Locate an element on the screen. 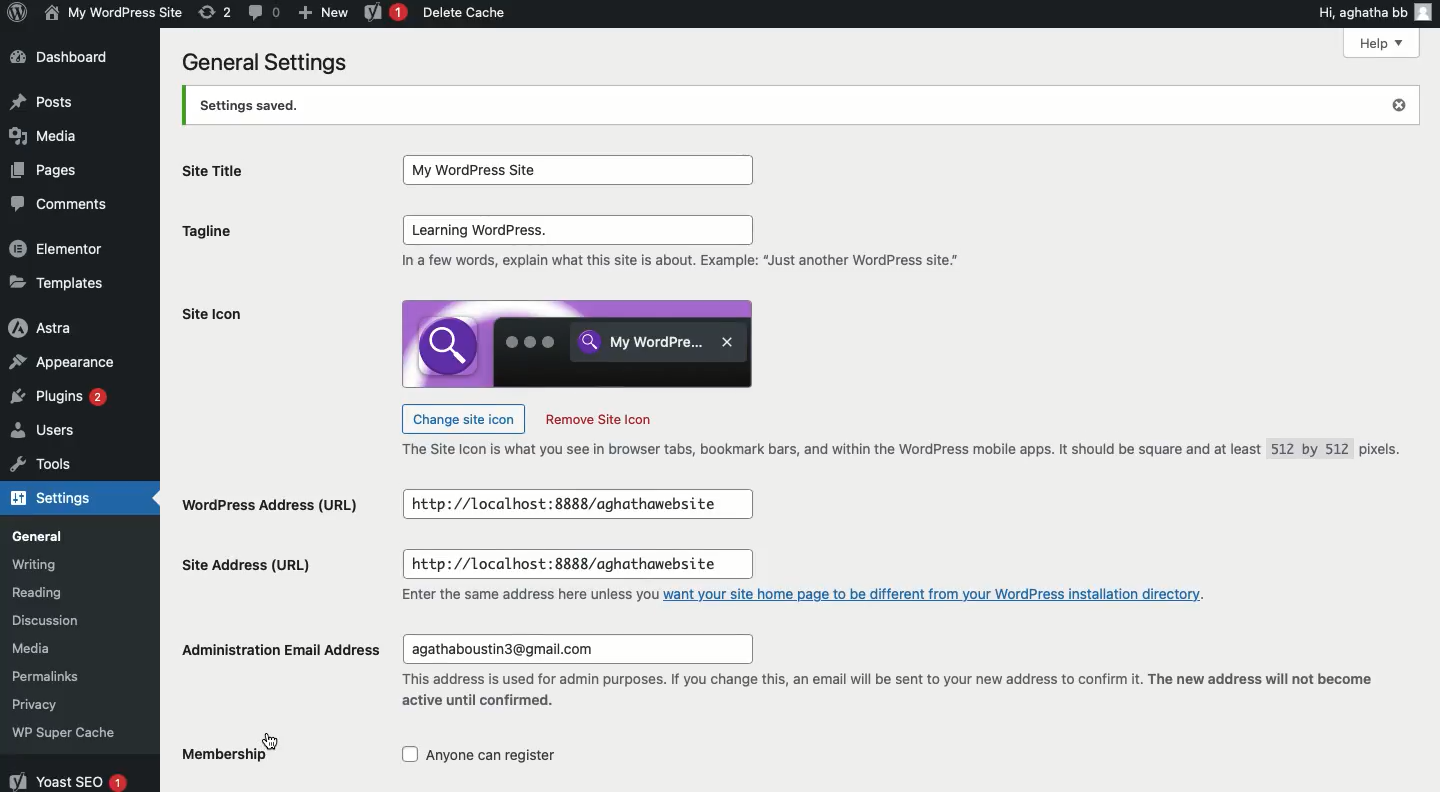 The height and width of the screenshot is (792, 1440). Site title is located at coordinates (221, 177).